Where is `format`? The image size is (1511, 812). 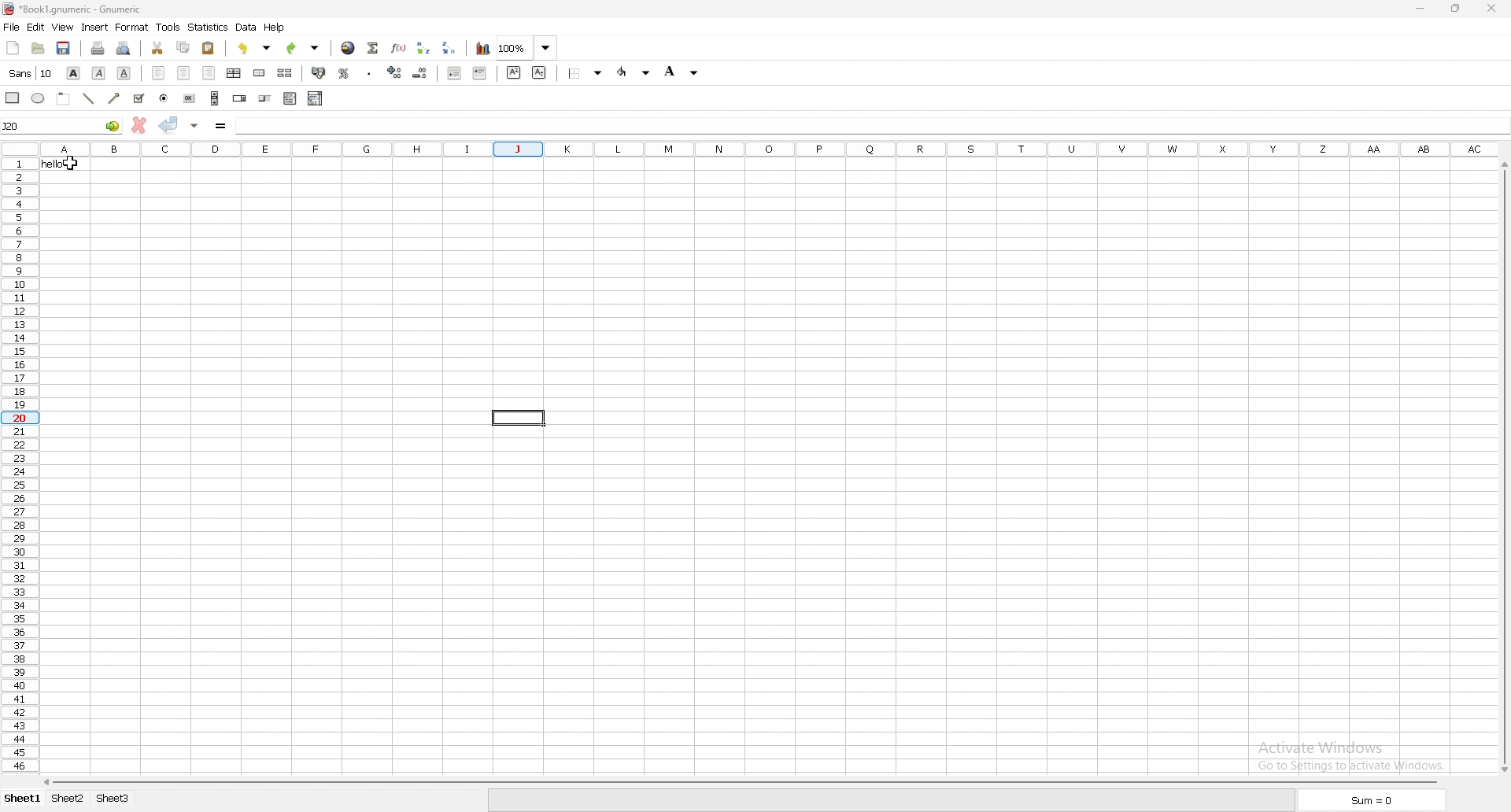 format is located at coordinates (131, 27).